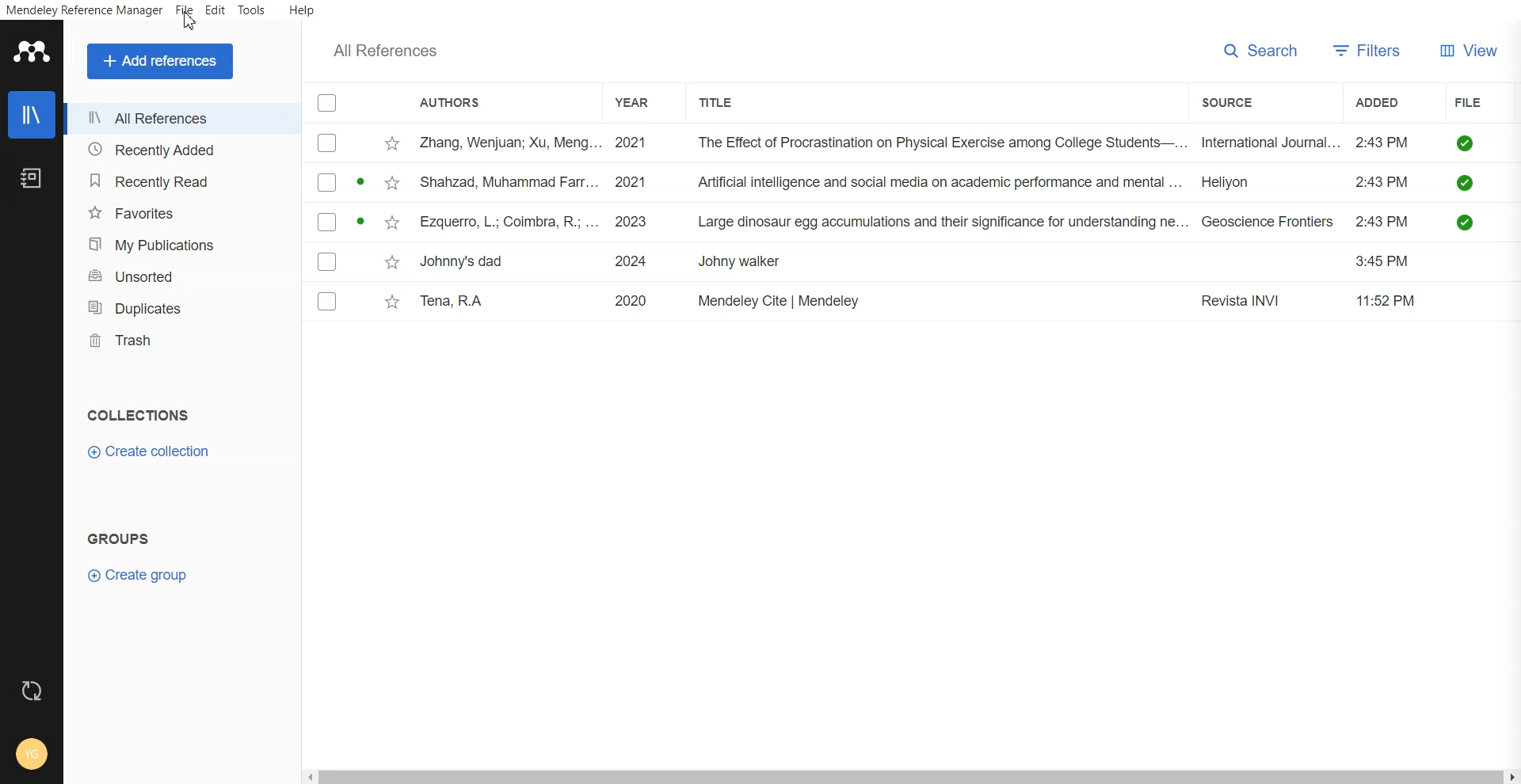 This screenshot has width=1521, height=784. What do you see at coordinates (1385, 222) in the screenshot?
I see `2:43PM` at bounding box center [1385, 222].